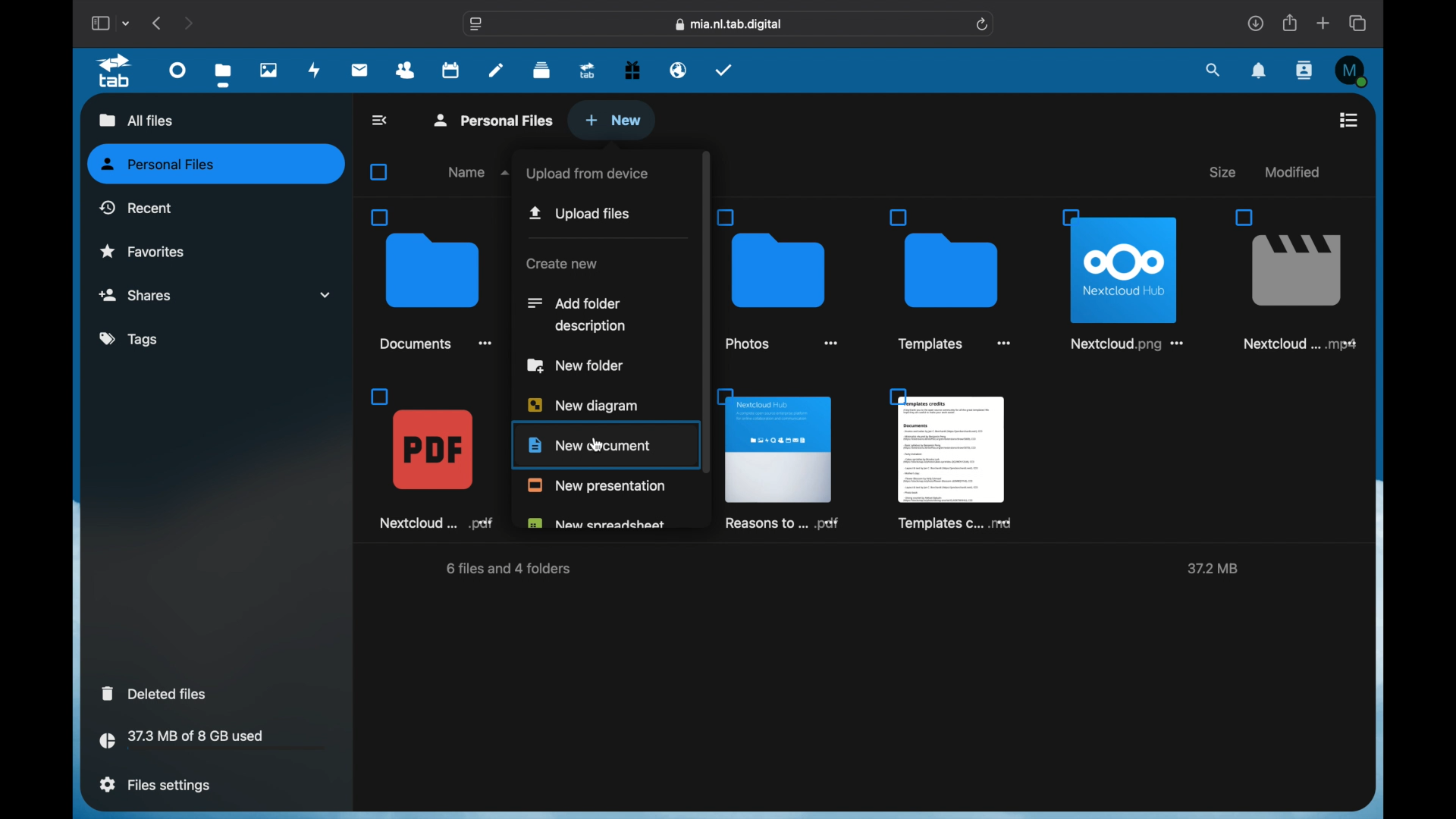 The height and width of the screenshot is (819, 1456). Describe the element at coordinates (984, 25) in the screenshot. I see `refresh` at that location.